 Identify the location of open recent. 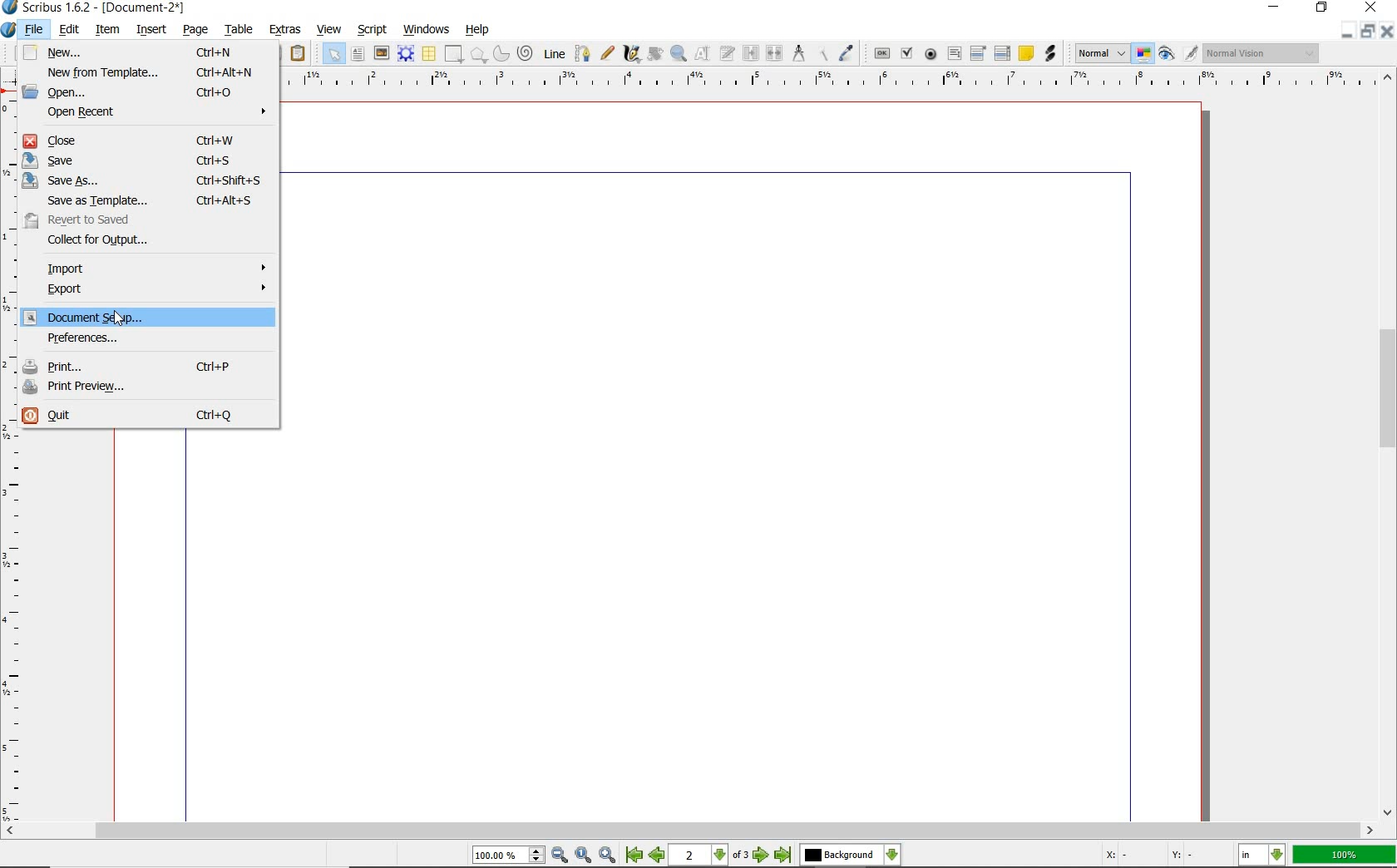
(152, 113).